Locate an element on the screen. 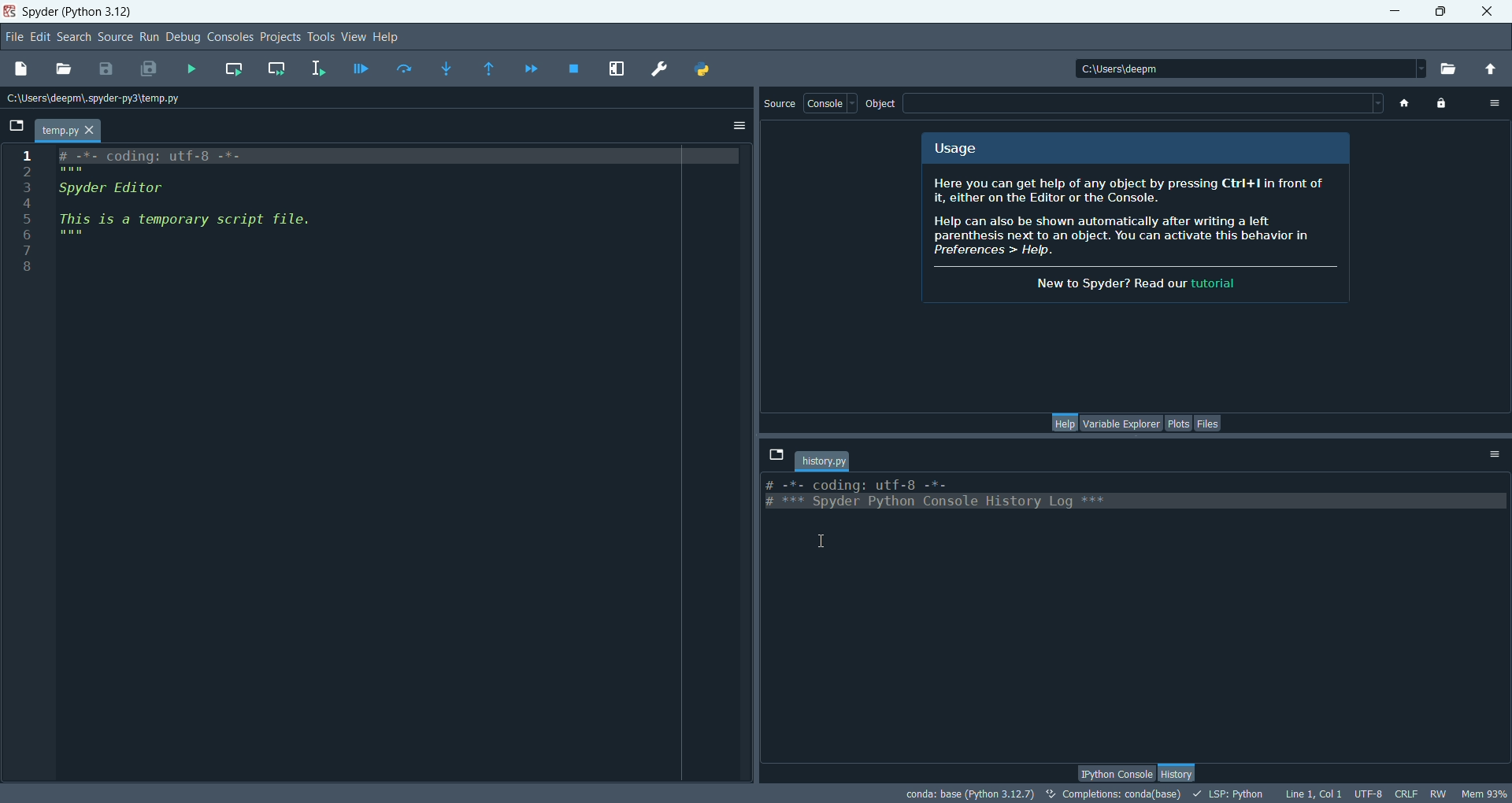  history is located at coordinates (1180, 772).